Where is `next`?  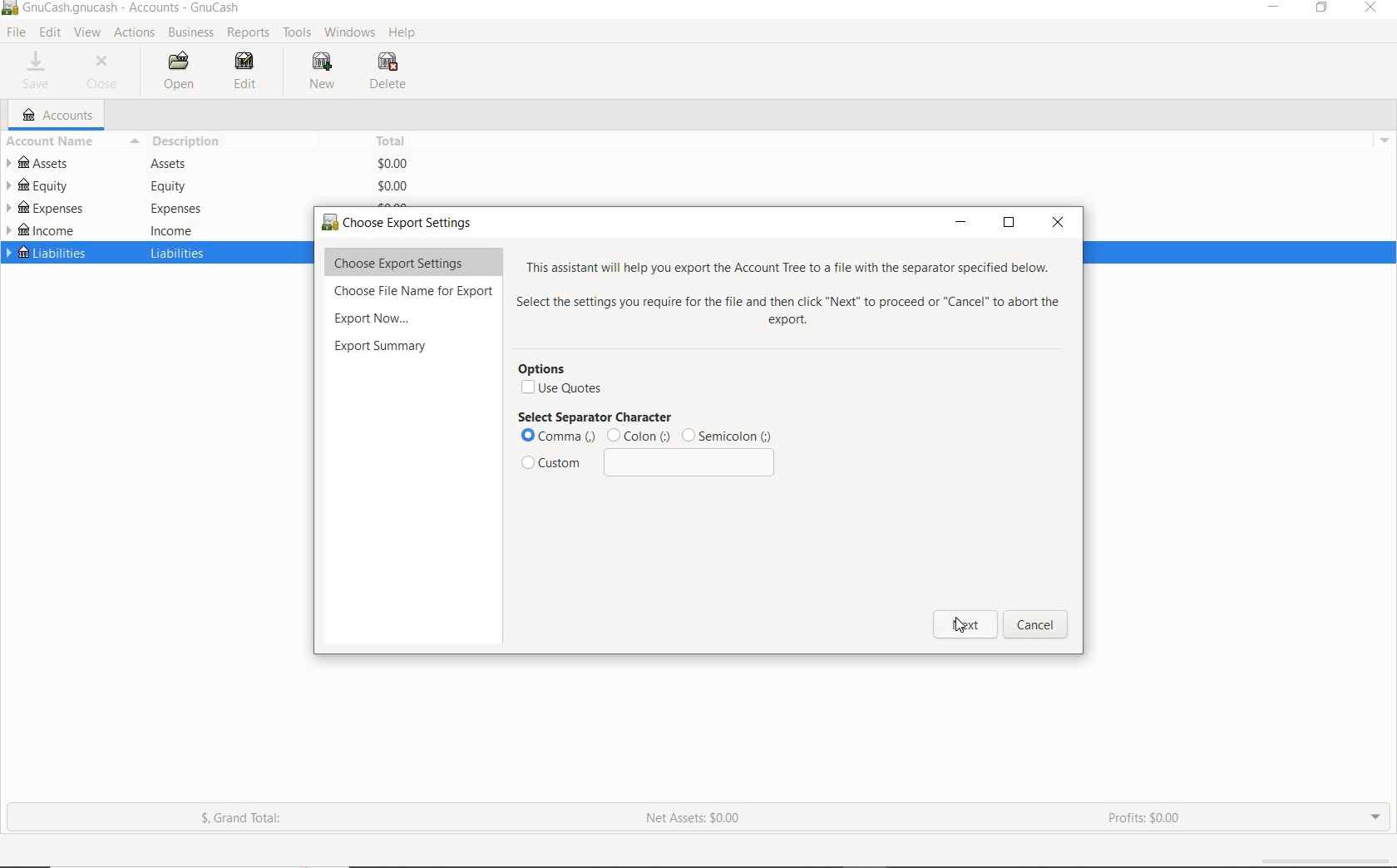 next is located at coordinates (964, 623).